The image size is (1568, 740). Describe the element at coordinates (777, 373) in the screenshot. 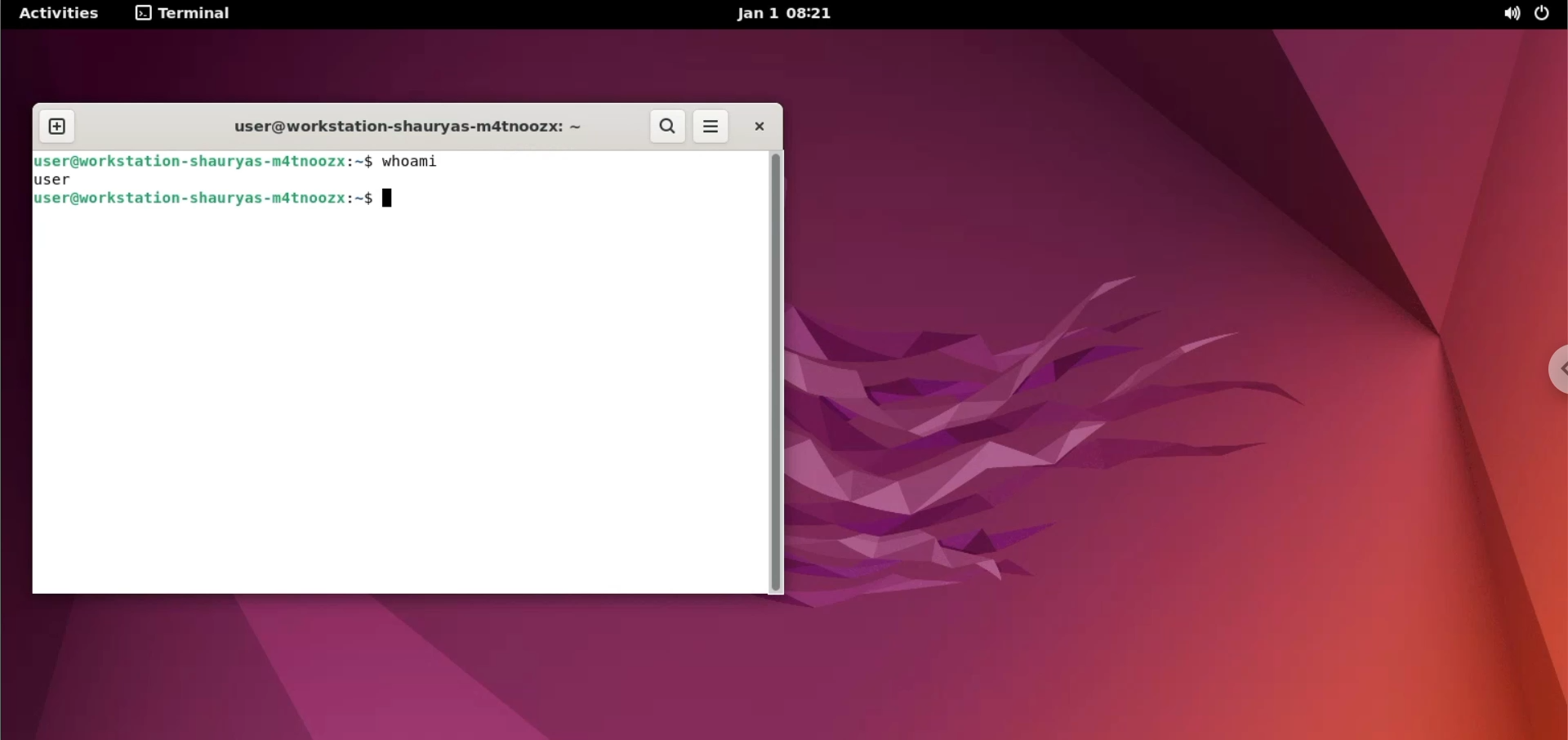

I see `scrollbar` at that location.